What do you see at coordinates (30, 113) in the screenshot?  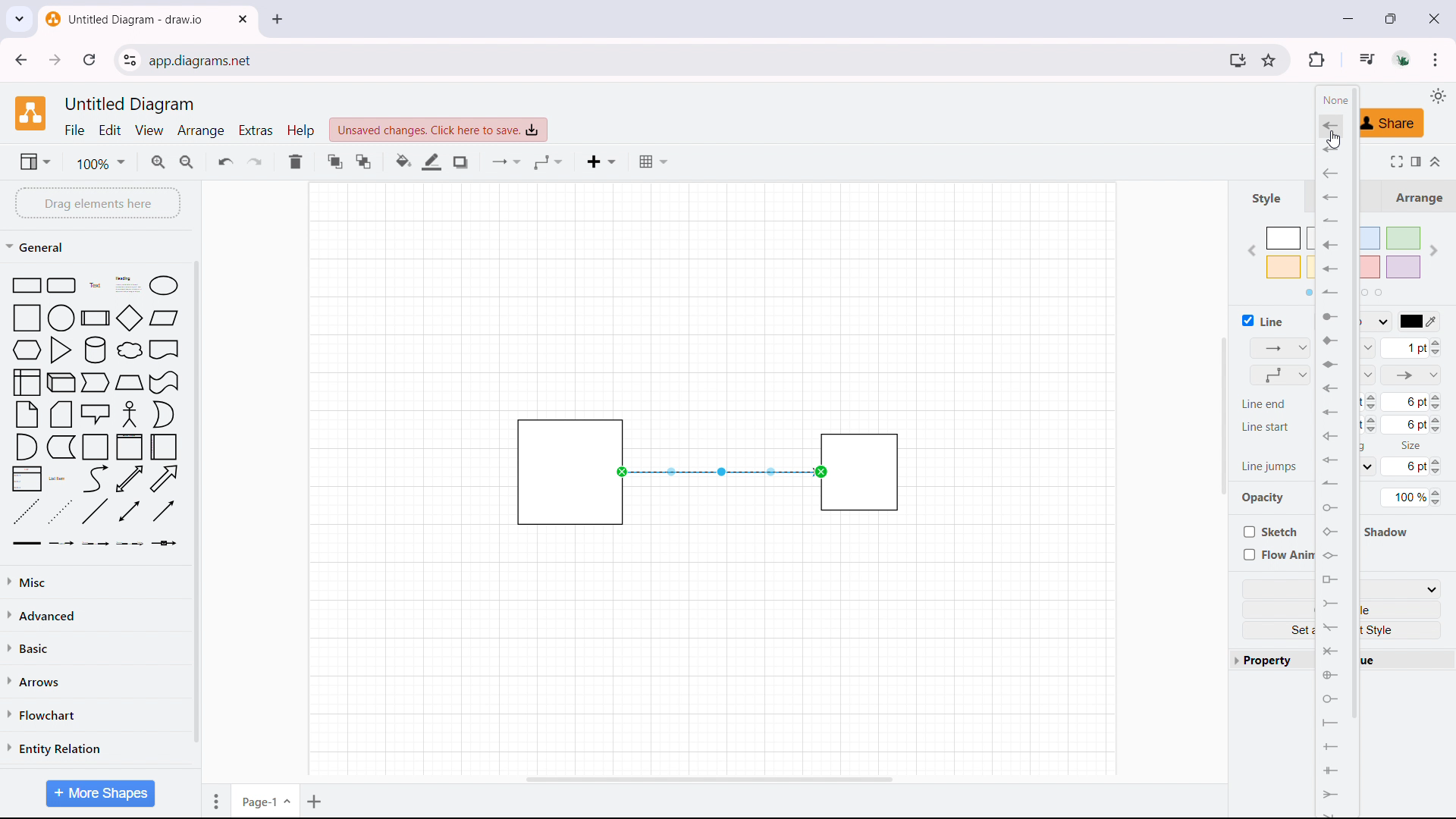 I see `logo` at bounding box center [30, 113].